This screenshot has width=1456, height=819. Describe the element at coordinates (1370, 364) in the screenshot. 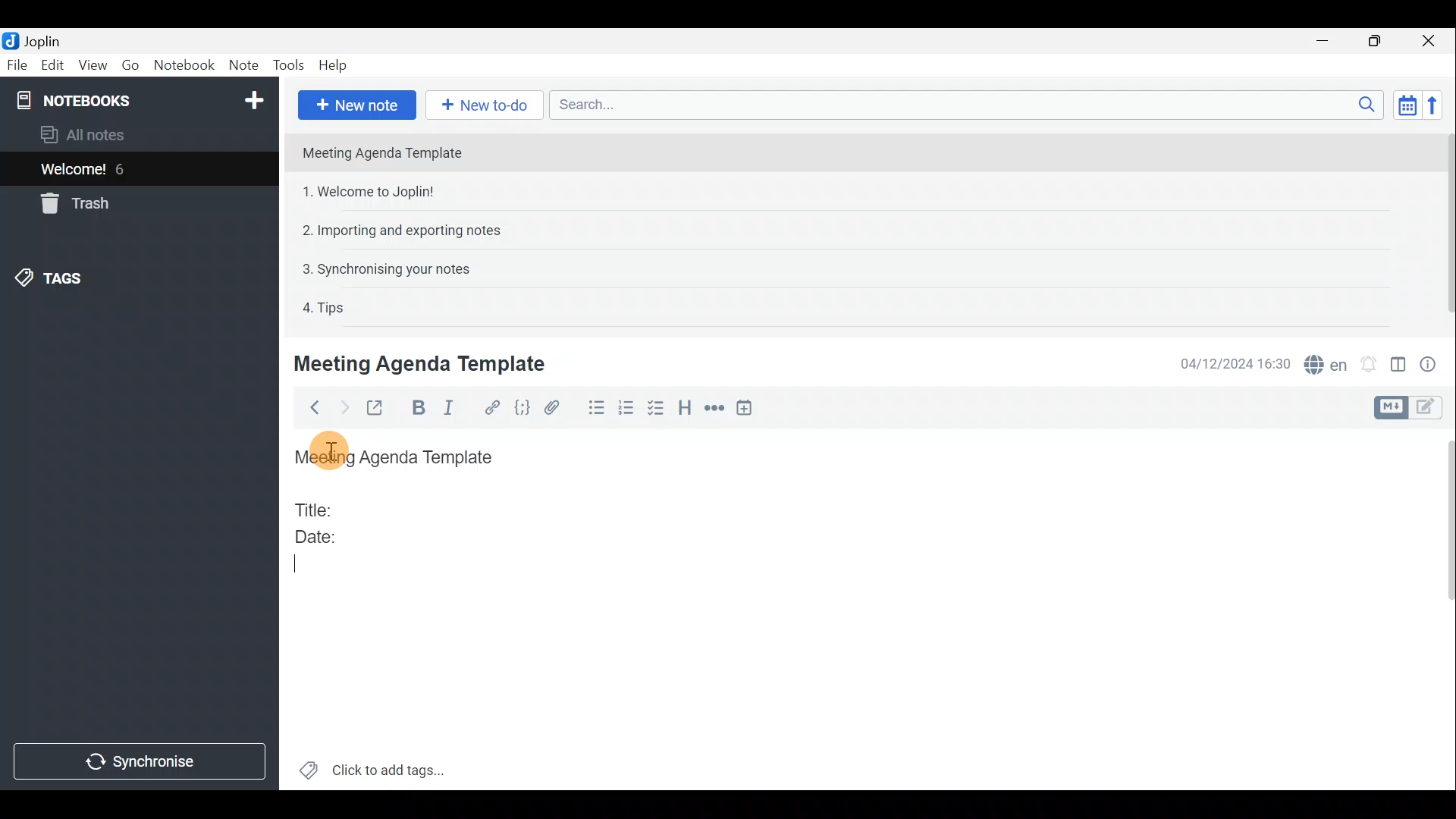

I see `Set alarm` at that location.